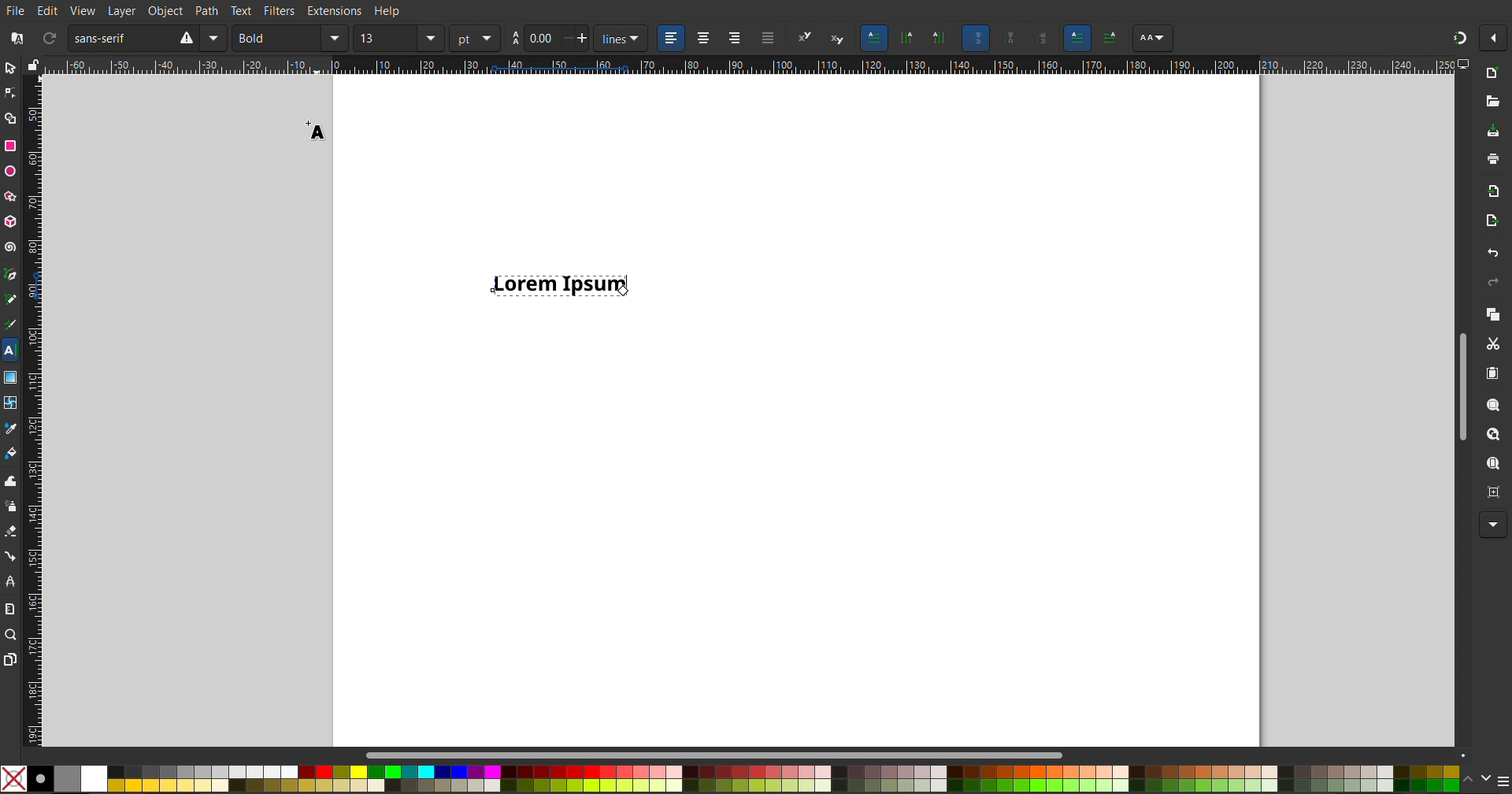 Image resolution: width=1512 pixels, height=794 pixels. What do you see at coordinates (11, 555) in the screenshot?
I see `Connector Tool` at bounding box center [11, 555].